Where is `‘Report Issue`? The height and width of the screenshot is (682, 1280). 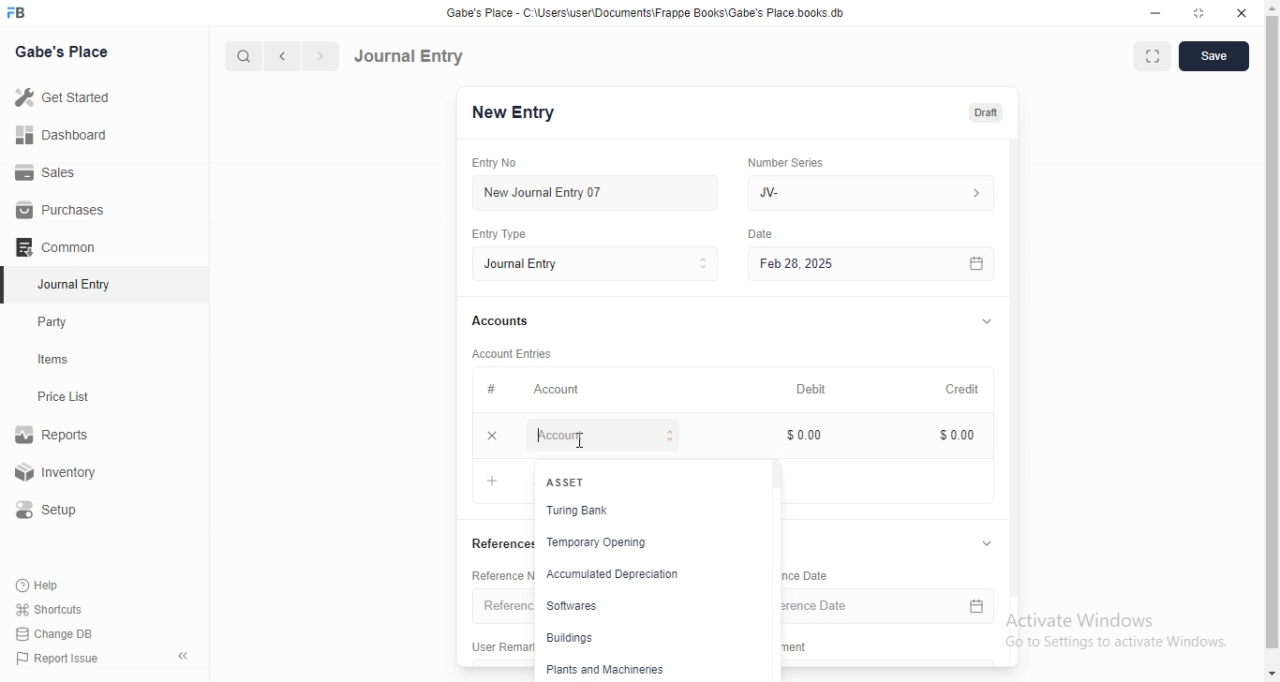 ‘Report Issue is located at coordinates (55, 658).